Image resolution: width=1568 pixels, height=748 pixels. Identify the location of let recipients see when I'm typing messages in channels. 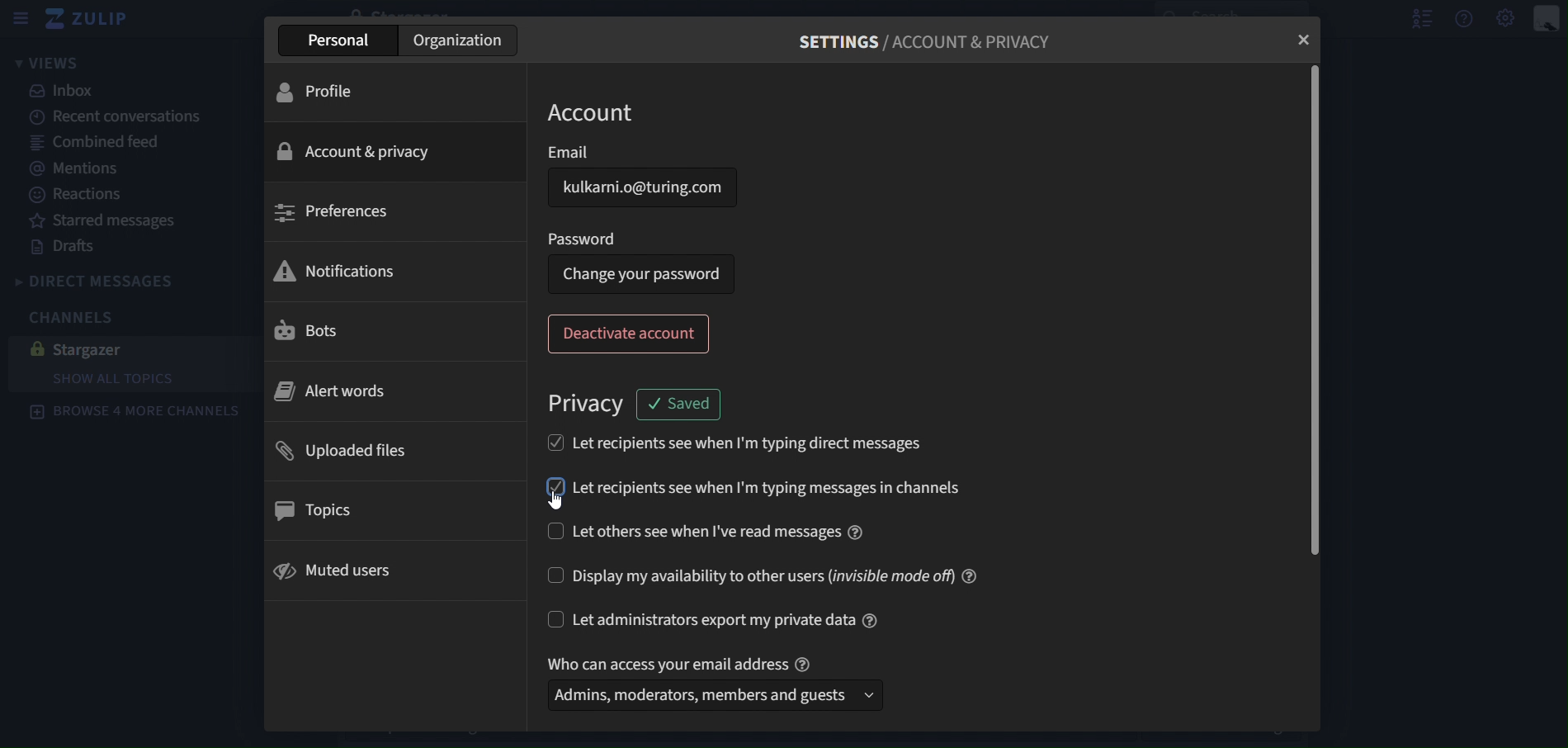
(752, 488).